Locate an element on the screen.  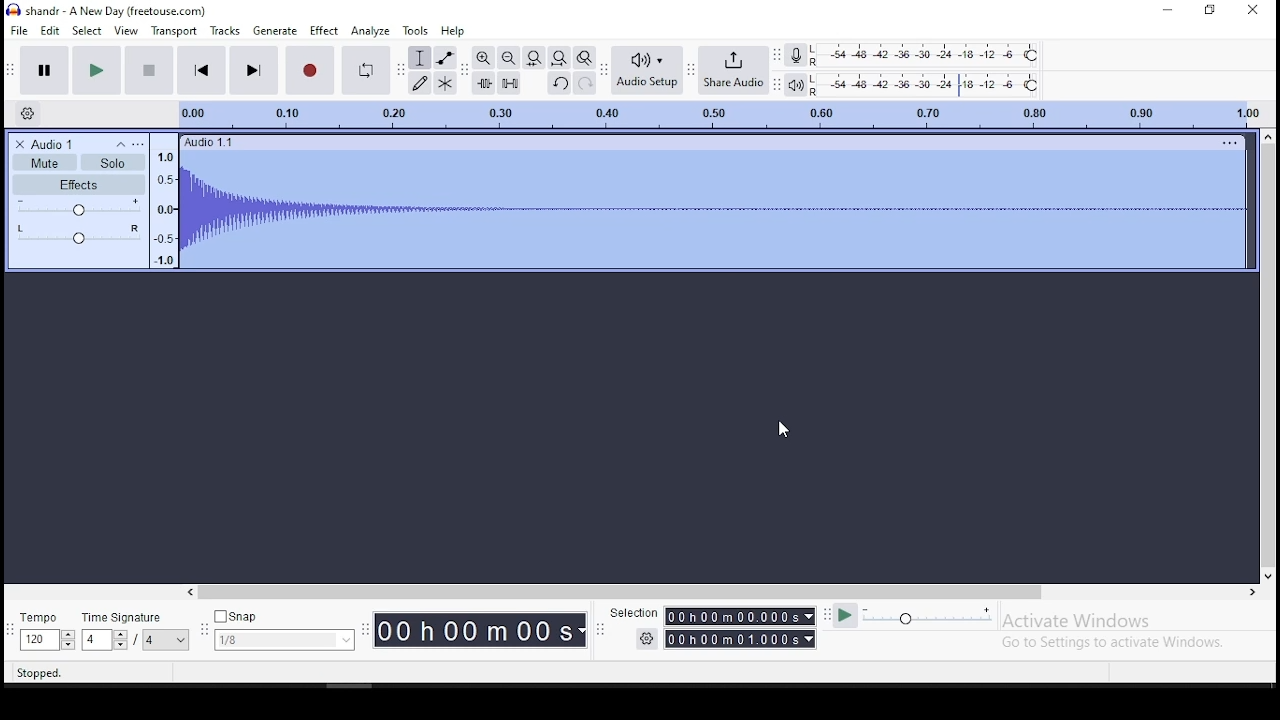
audio setup is located at coordinates (647, 70).